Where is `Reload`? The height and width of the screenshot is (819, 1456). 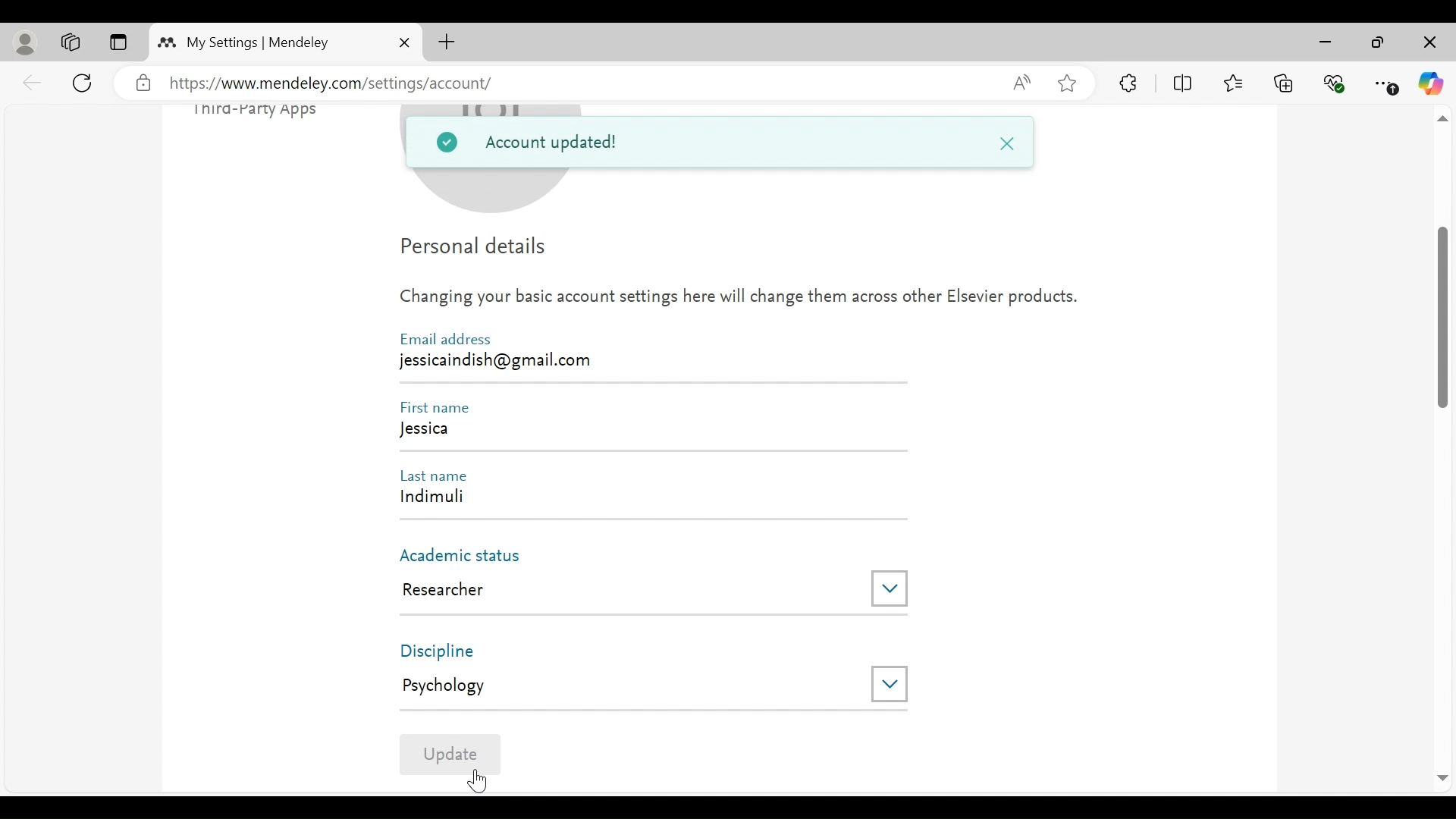 Reload is located at coordinates (85, 81).